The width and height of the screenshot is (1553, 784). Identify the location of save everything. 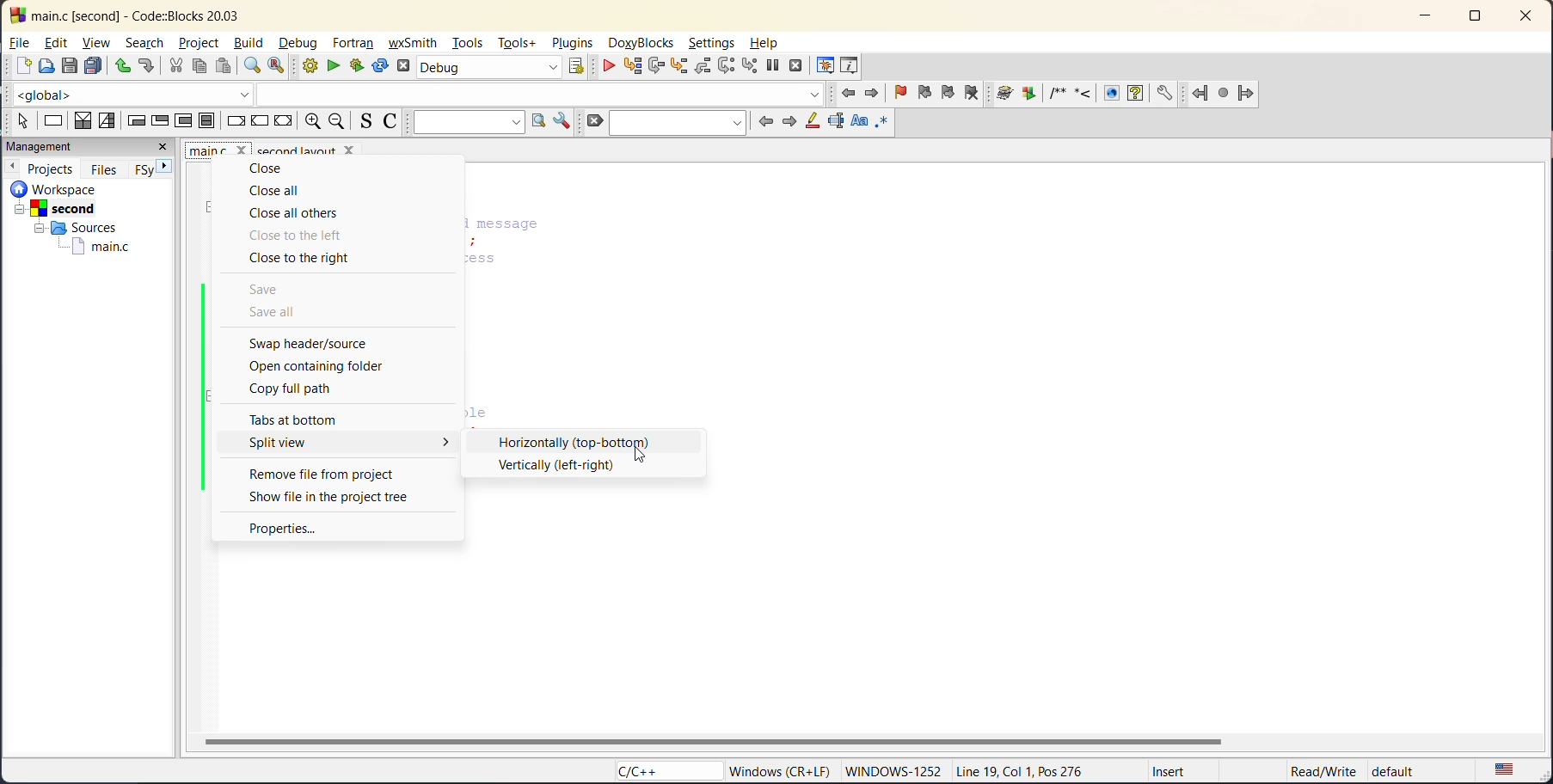
(95, 67).